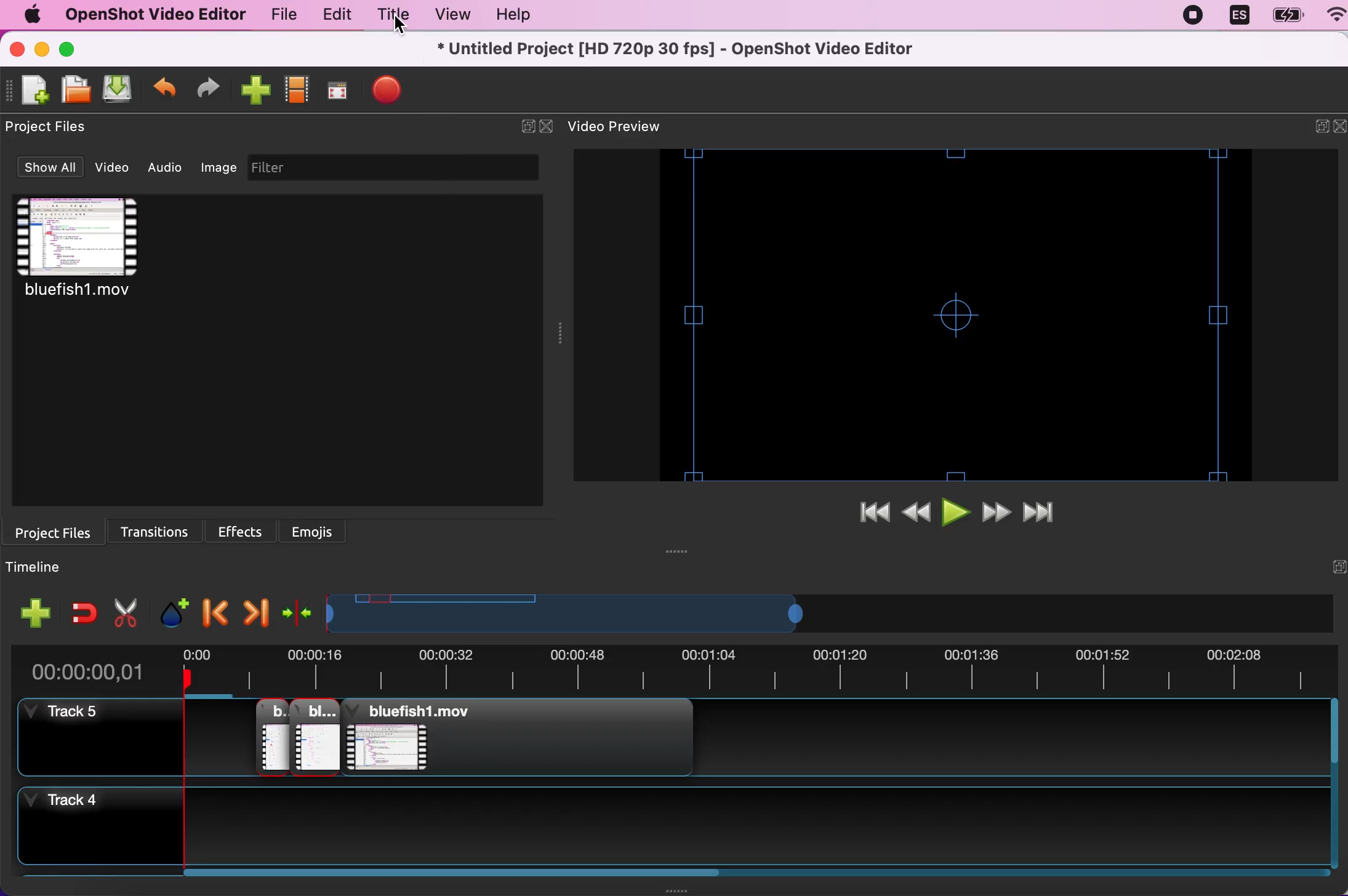 The height and width of the screenshot is (896, 1348). I want to click on undo, so click(165, 92).